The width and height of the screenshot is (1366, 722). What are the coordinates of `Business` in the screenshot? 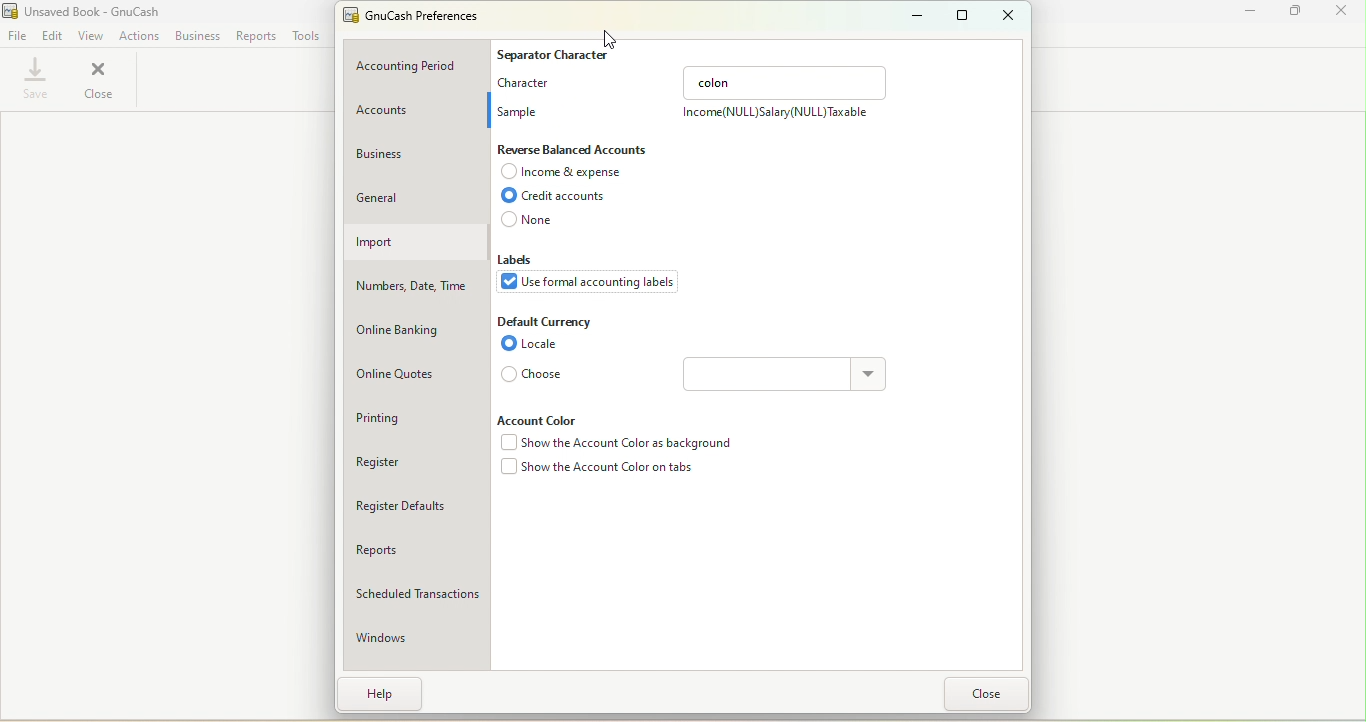 It's located at (197, 35).